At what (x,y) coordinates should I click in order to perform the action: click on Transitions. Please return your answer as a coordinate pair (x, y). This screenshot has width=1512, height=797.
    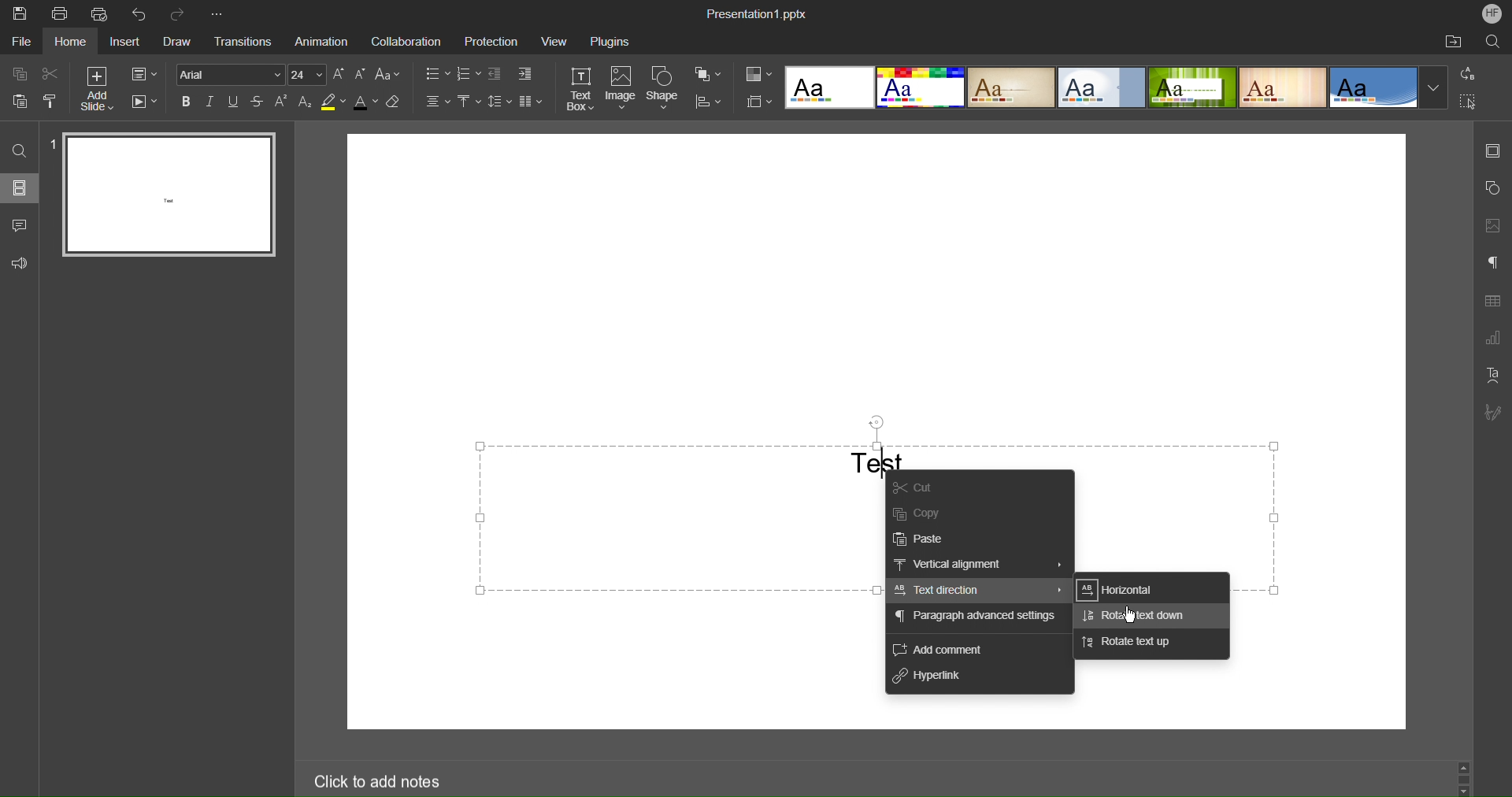
    Looking at the image, I should click on (247, 42).